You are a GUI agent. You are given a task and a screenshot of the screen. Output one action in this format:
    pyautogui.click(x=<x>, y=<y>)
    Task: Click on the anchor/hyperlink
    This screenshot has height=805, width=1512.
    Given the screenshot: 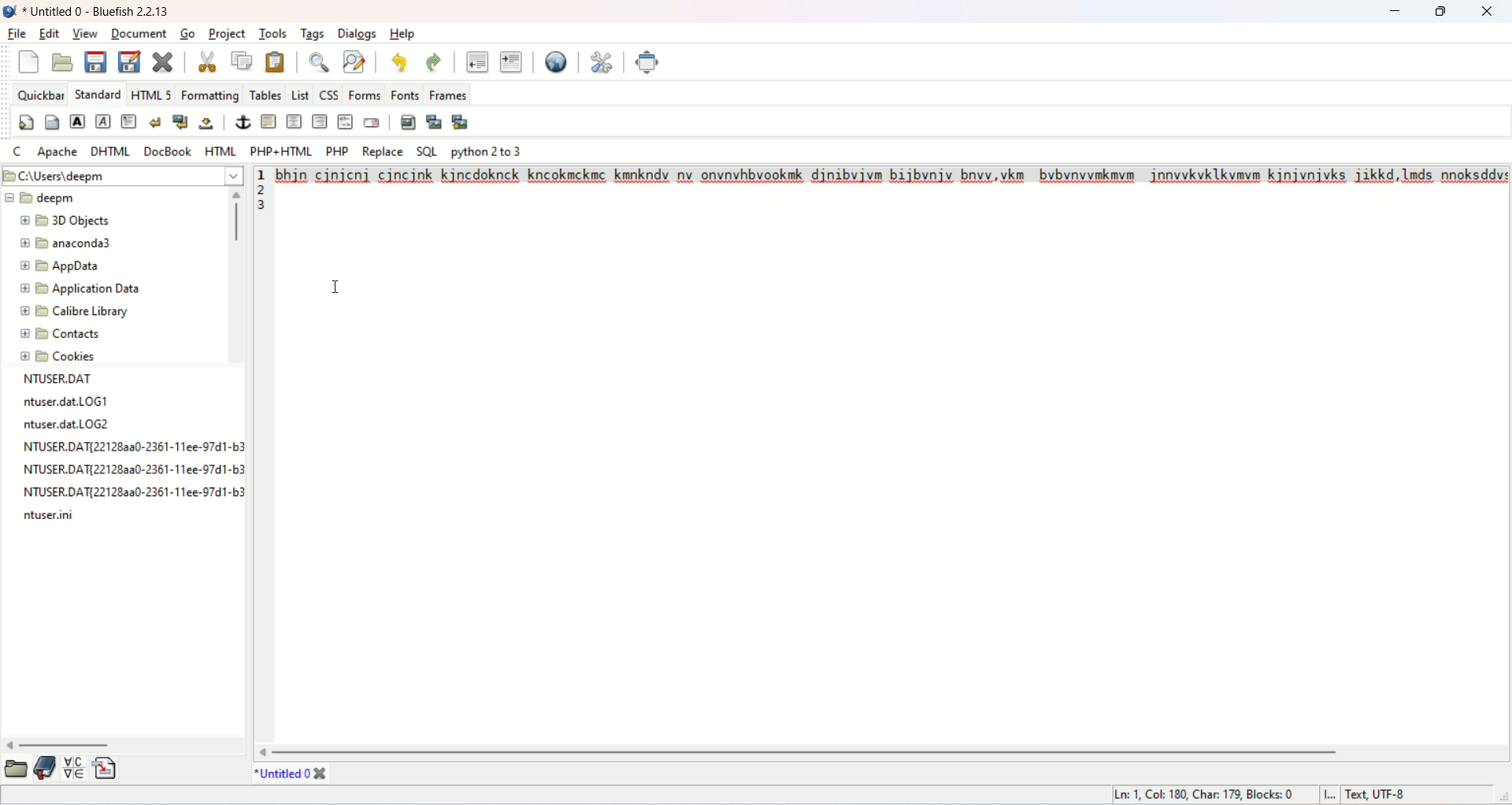 What is the action you would take?
    pyautogui.click(x=242, y=124)
    